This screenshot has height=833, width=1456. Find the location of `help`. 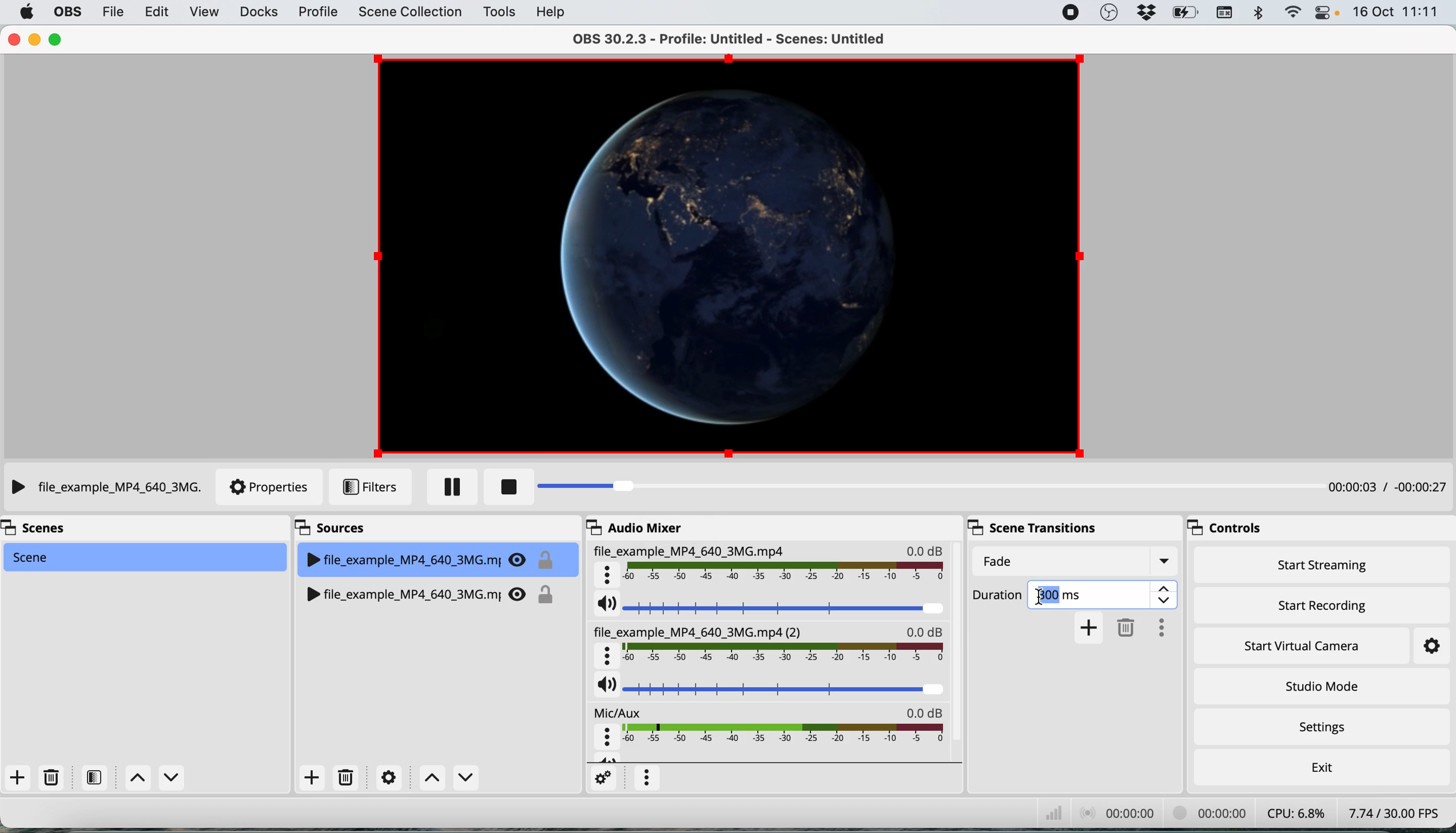

help is located at coordinates (548, 12).